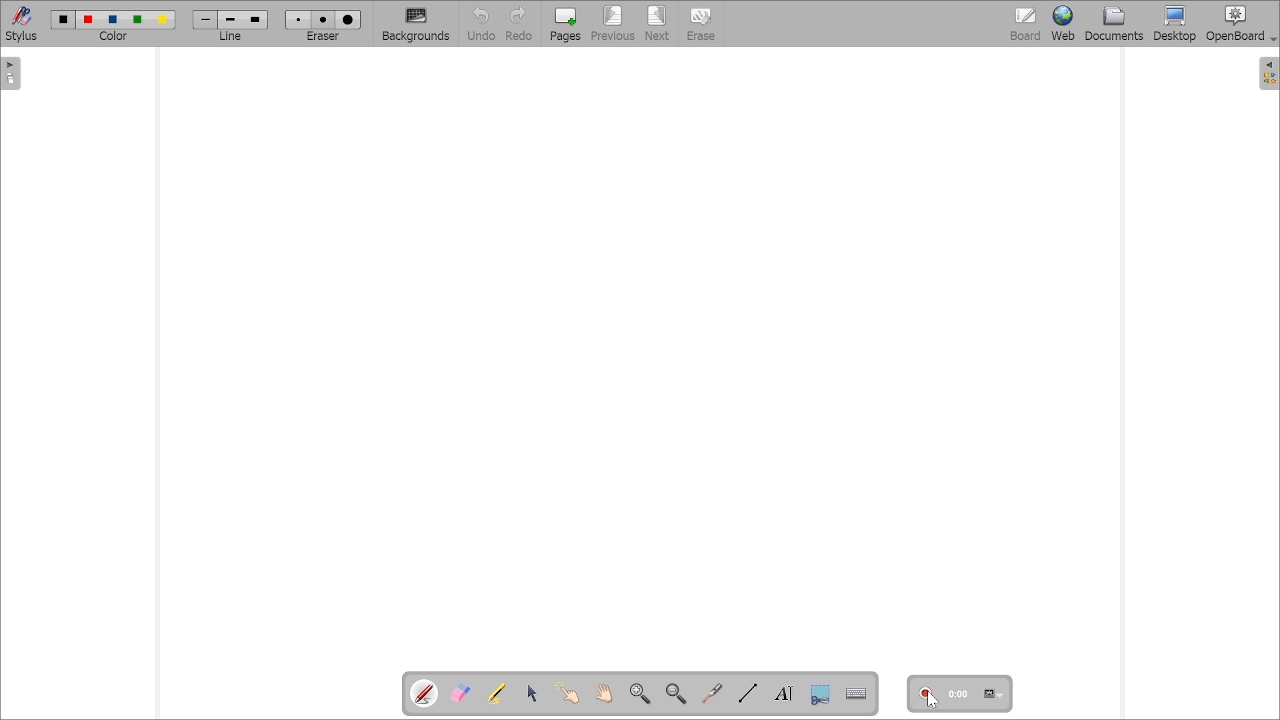 The height and width of the screenshot is (720, 1280). What do you see at coordinates (457, 694) in the screenshot?
I see `Erase annotations` at bounding box center [457, 694].